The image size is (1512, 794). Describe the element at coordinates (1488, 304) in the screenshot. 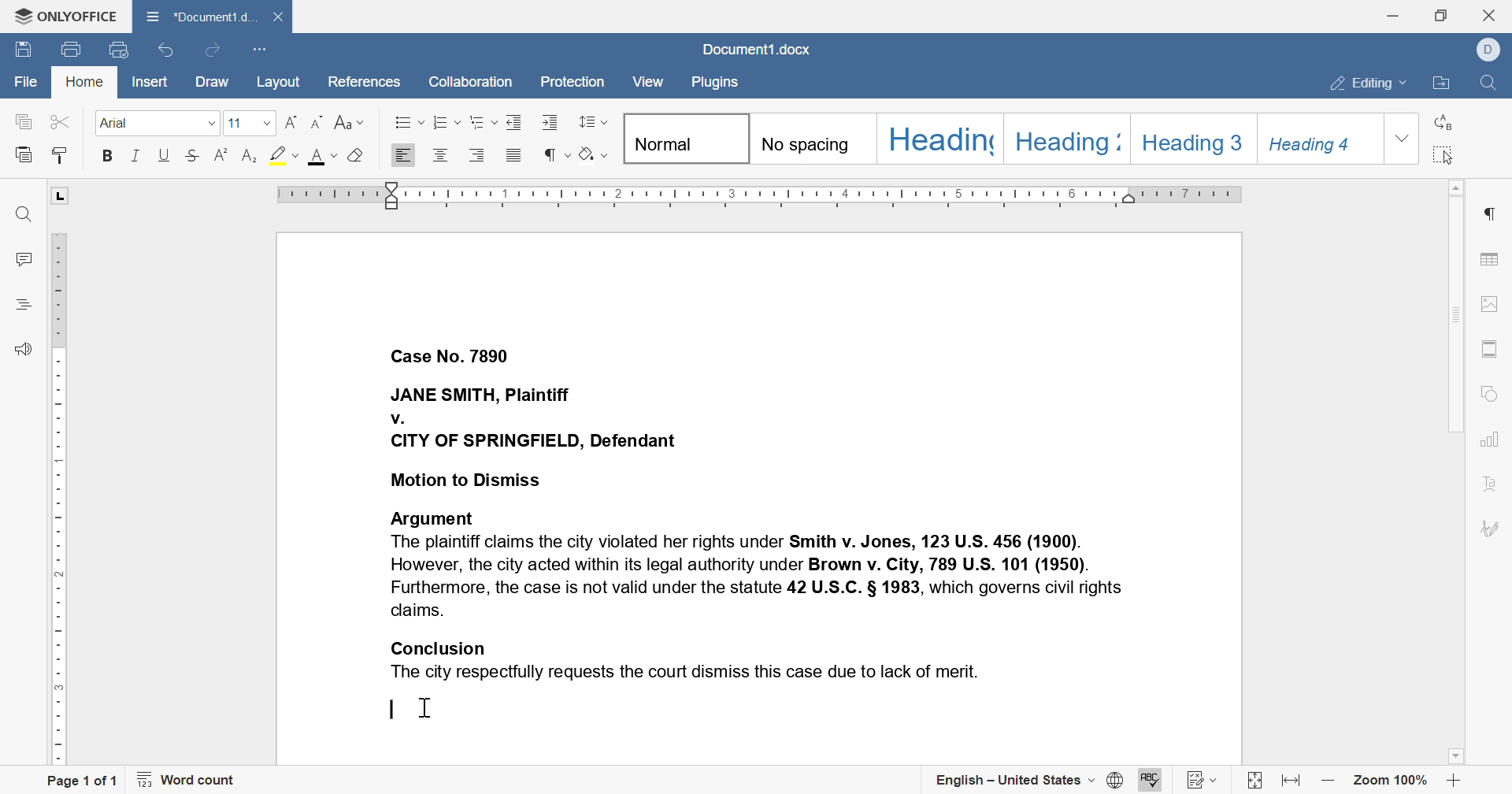

I see `image settings` at that location.